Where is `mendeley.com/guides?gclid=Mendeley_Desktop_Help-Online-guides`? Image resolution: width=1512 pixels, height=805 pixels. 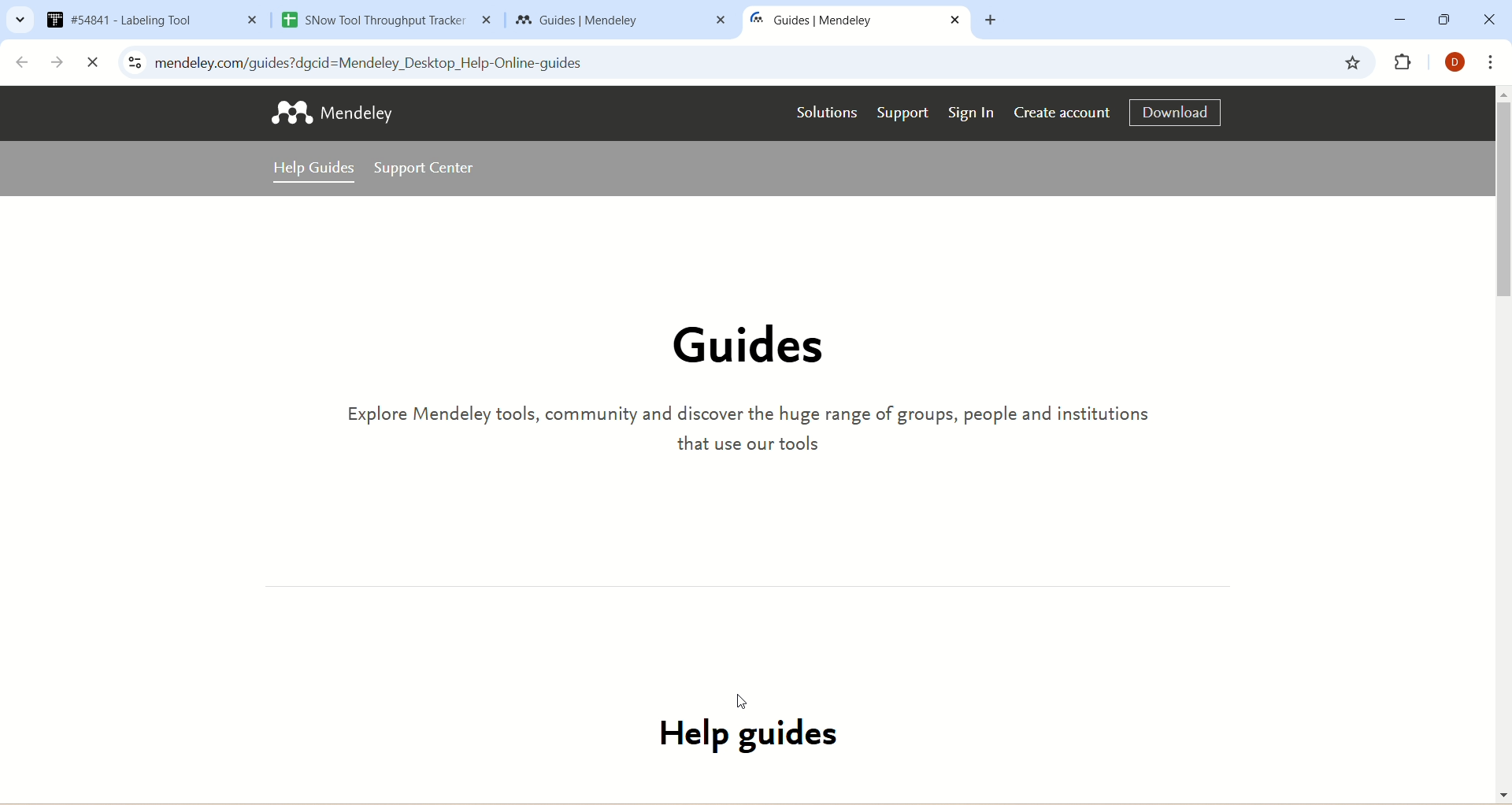
mendeley.com/guides?gclid=Mendeley_Desktop_Help-Online-guides is located at coordinates (725, 64).